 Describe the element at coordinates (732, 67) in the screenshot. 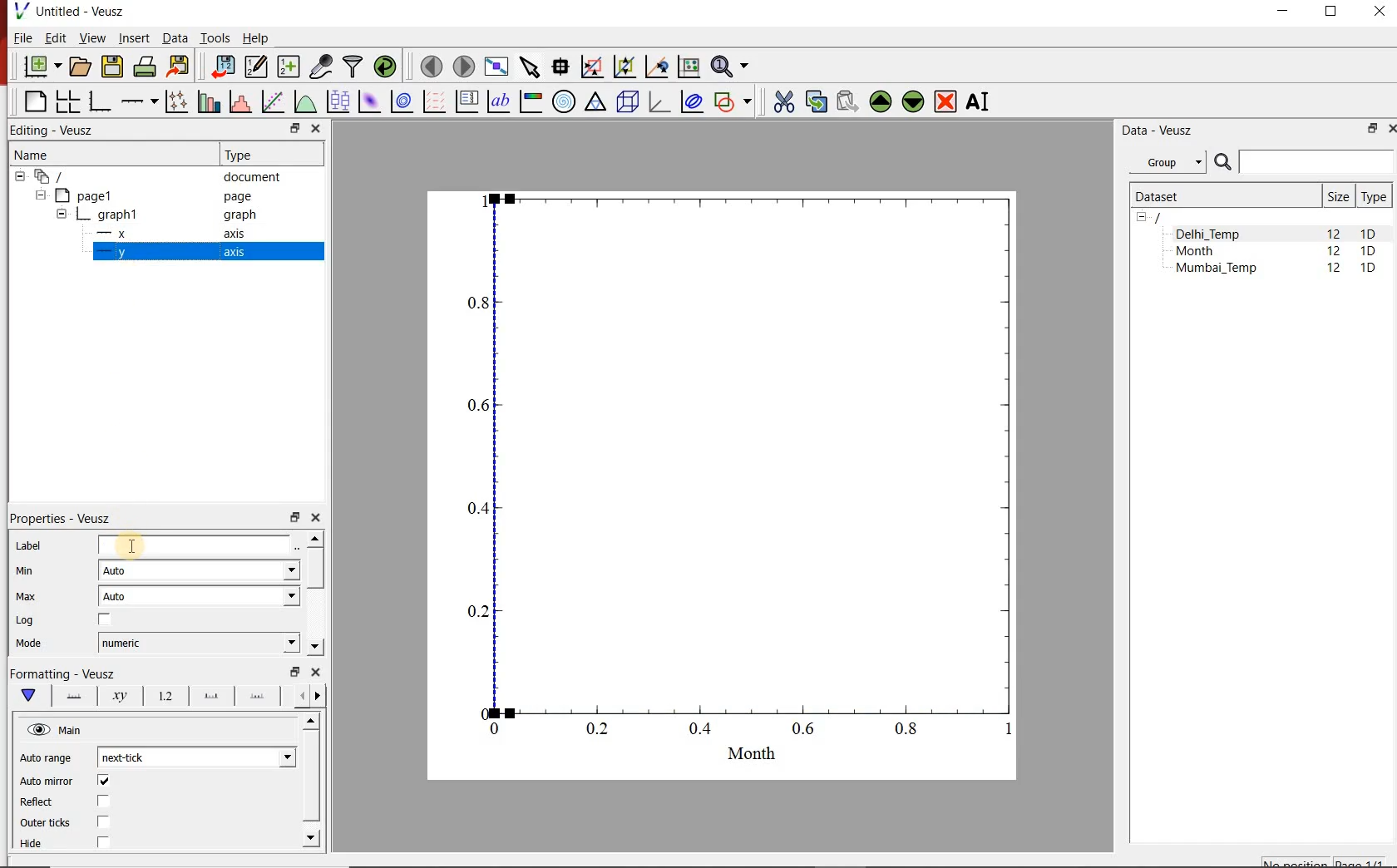

I see `zoom functions menu` at that location.